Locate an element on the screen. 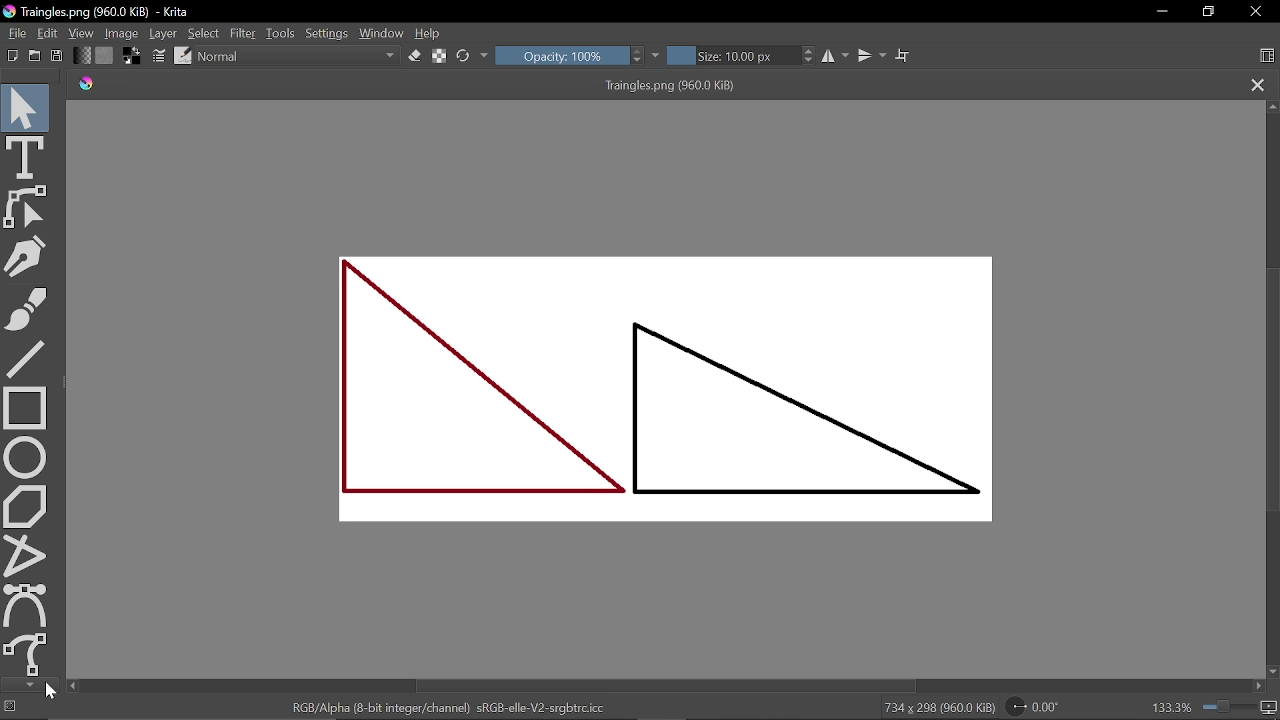  Edit is located at coordinates (47, 35).